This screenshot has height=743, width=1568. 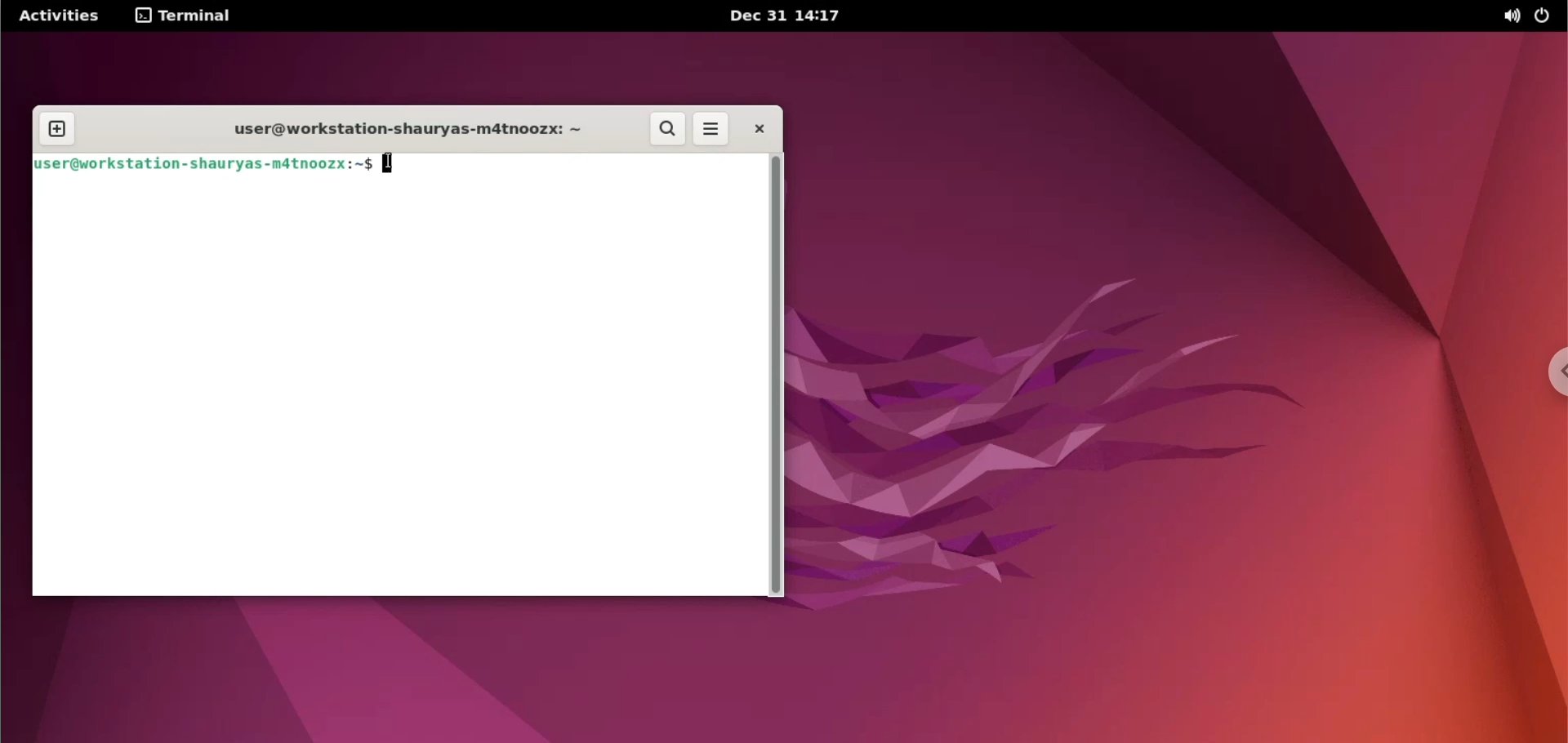 I want to click on sound options, so click(x=1512, y=18).